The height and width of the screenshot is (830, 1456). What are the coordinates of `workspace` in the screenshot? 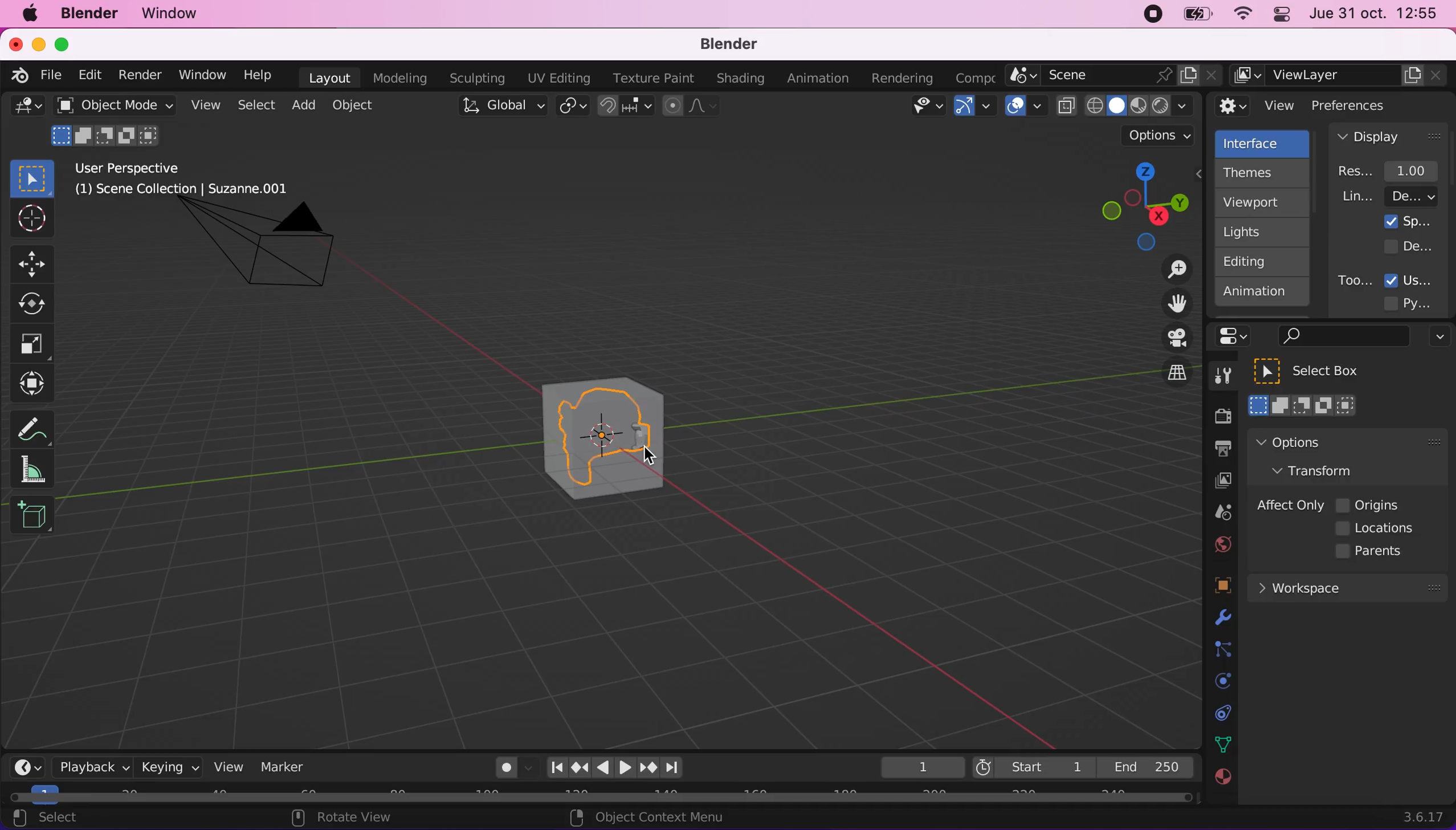 It's located at (1347, 587).